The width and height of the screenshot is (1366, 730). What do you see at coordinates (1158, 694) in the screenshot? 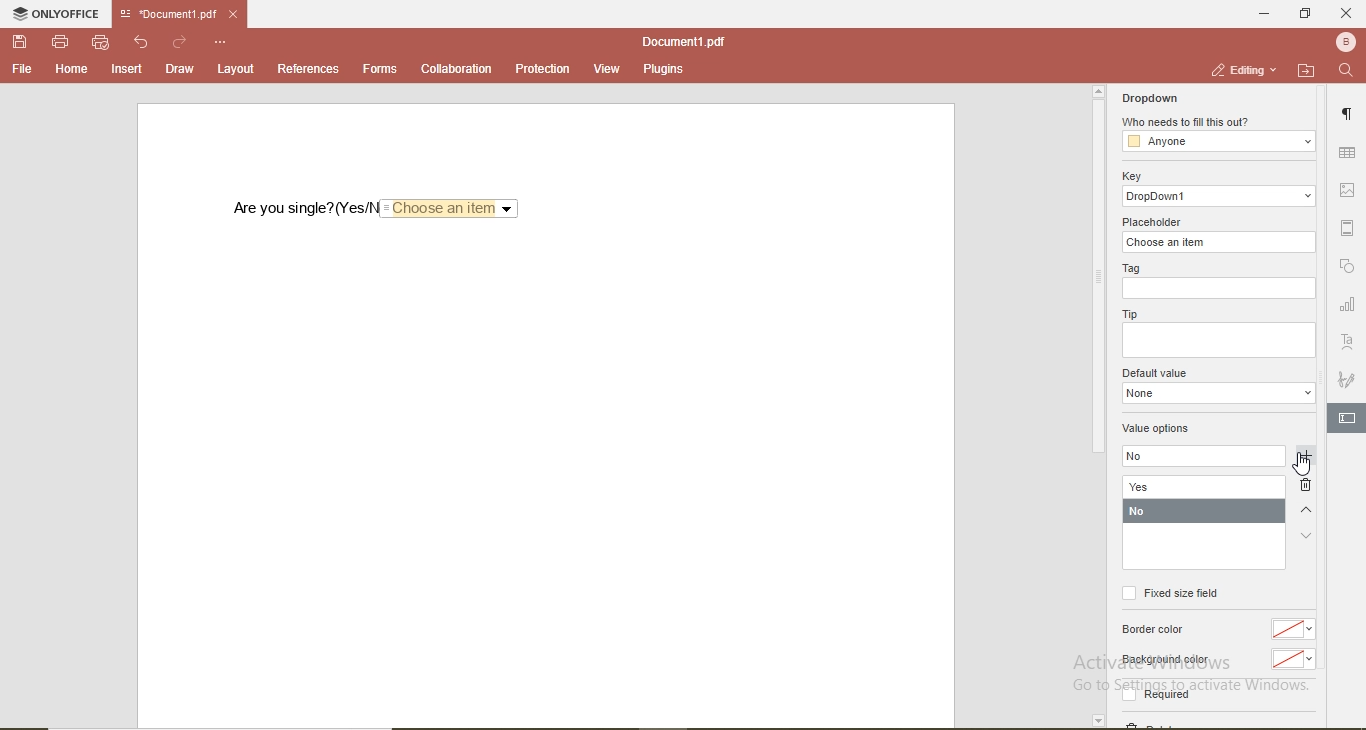
I see `Required` at bounding box center [1158, 694].